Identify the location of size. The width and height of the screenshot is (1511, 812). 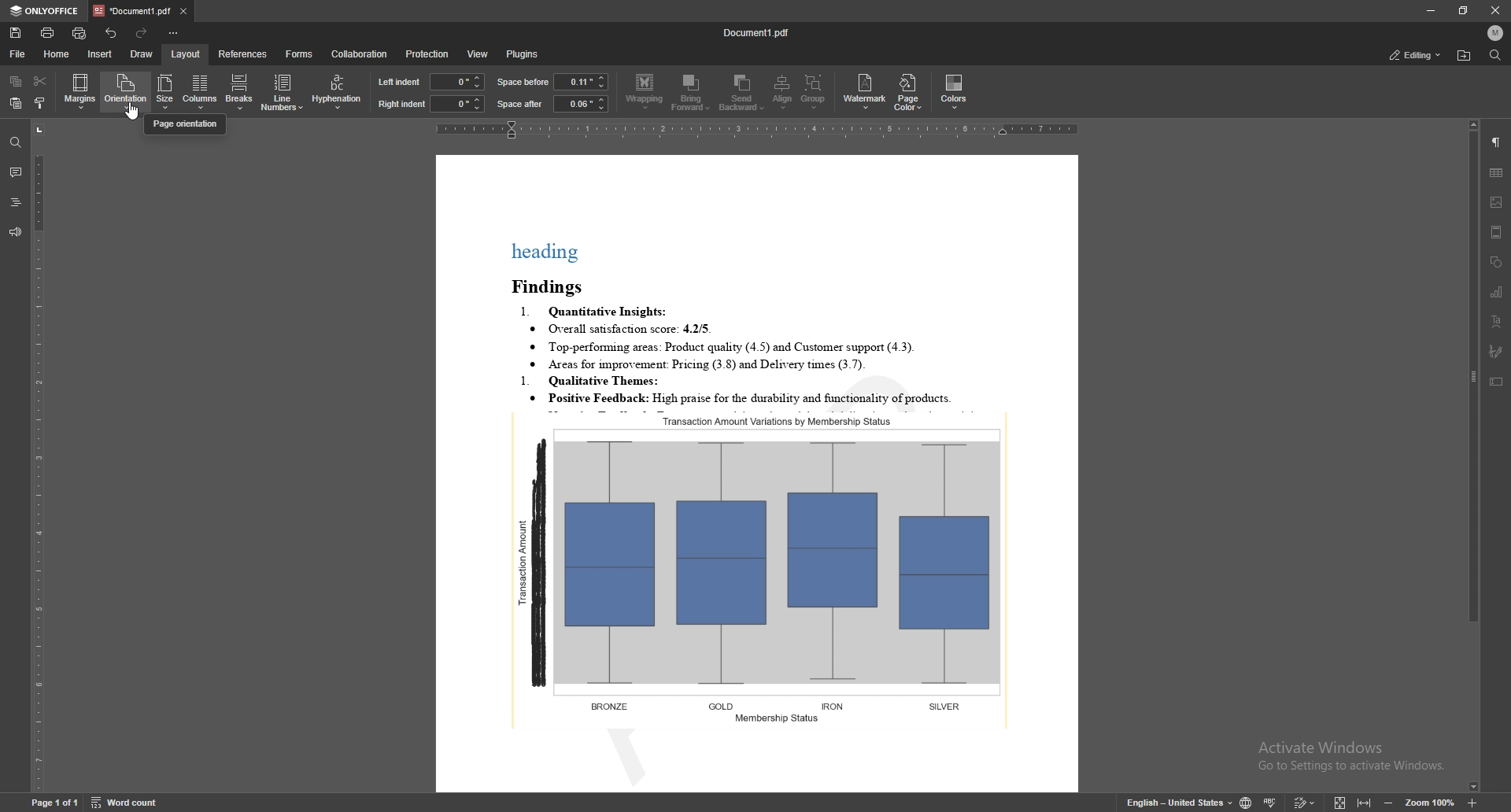
(164, 92).